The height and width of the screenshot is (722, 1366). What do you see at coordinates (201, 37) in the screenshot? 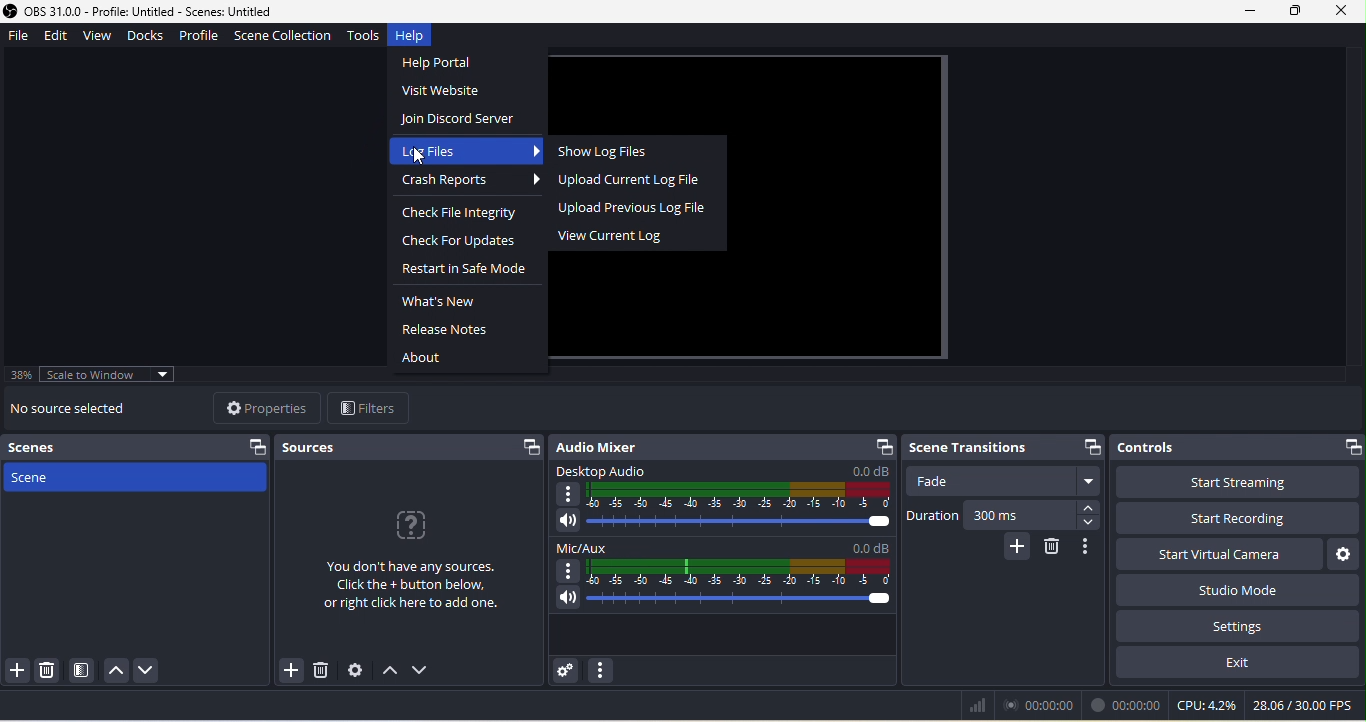
I see `profile` at bounding box center [201, 37].